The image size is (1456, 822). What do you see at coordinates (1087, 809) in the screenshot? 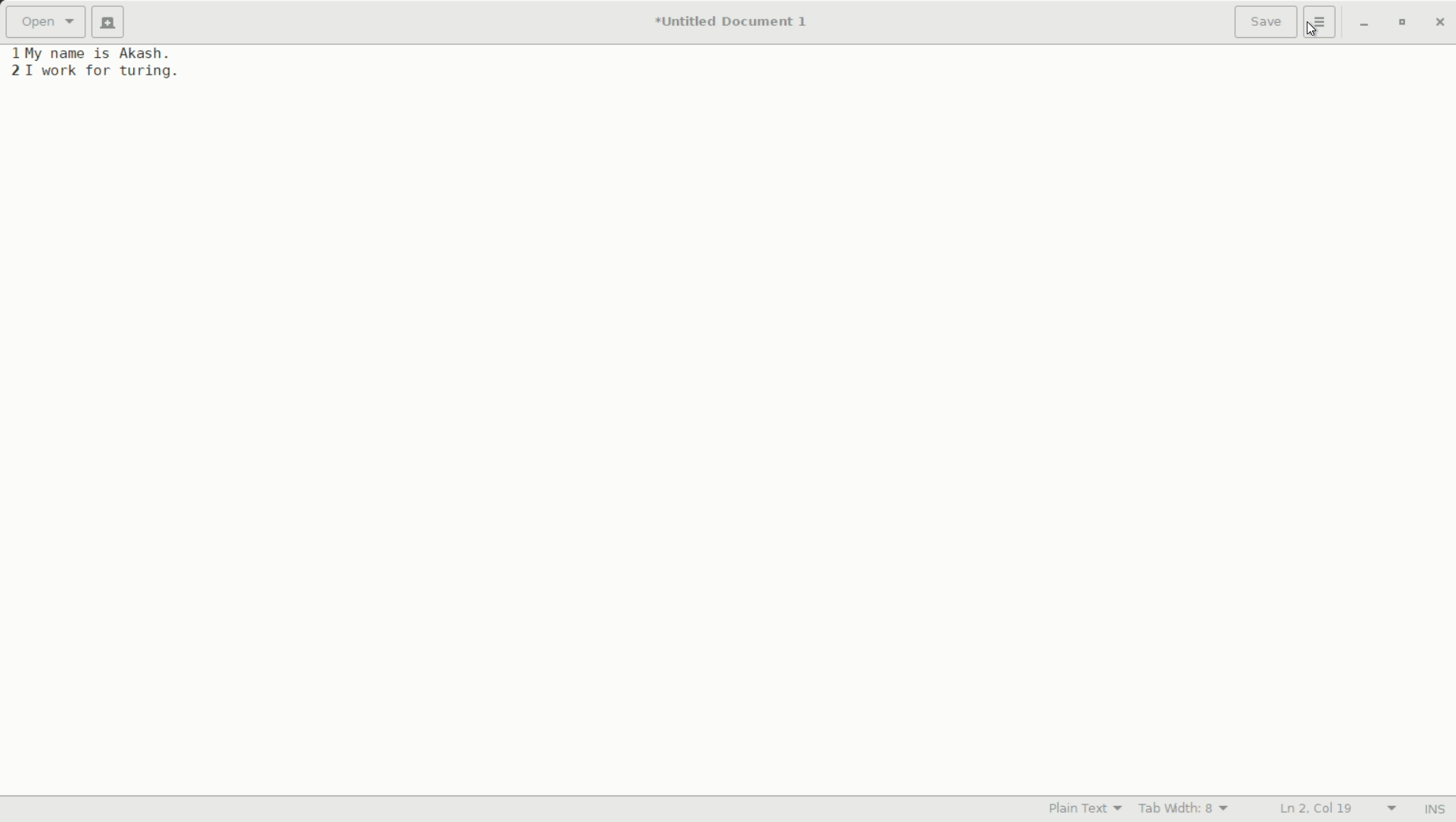
I see `plain text` at bounding box center [1087, 809].